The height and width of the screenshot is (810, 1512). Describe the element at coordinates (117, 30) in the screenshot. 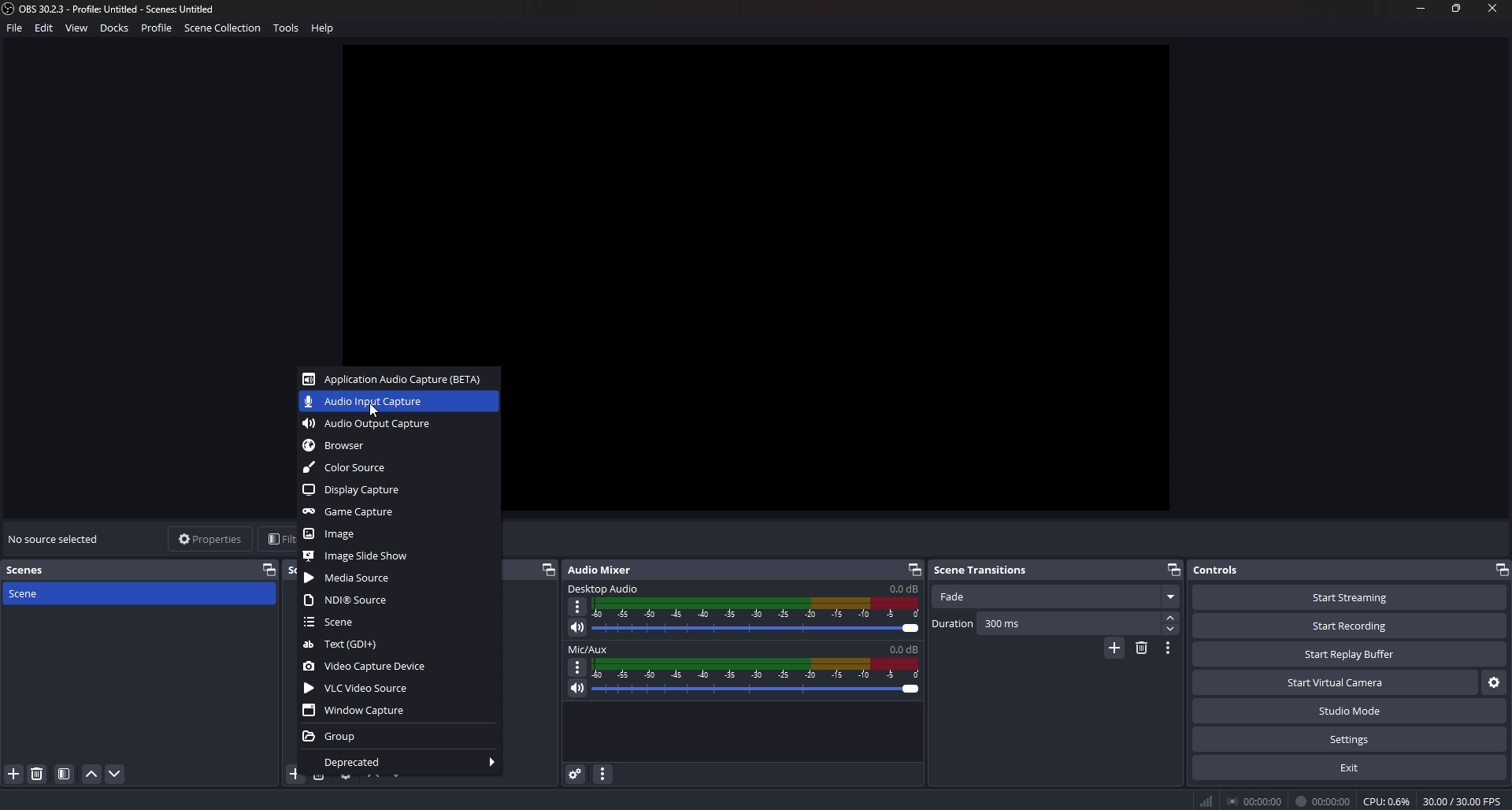

I see `Docks` at that location.